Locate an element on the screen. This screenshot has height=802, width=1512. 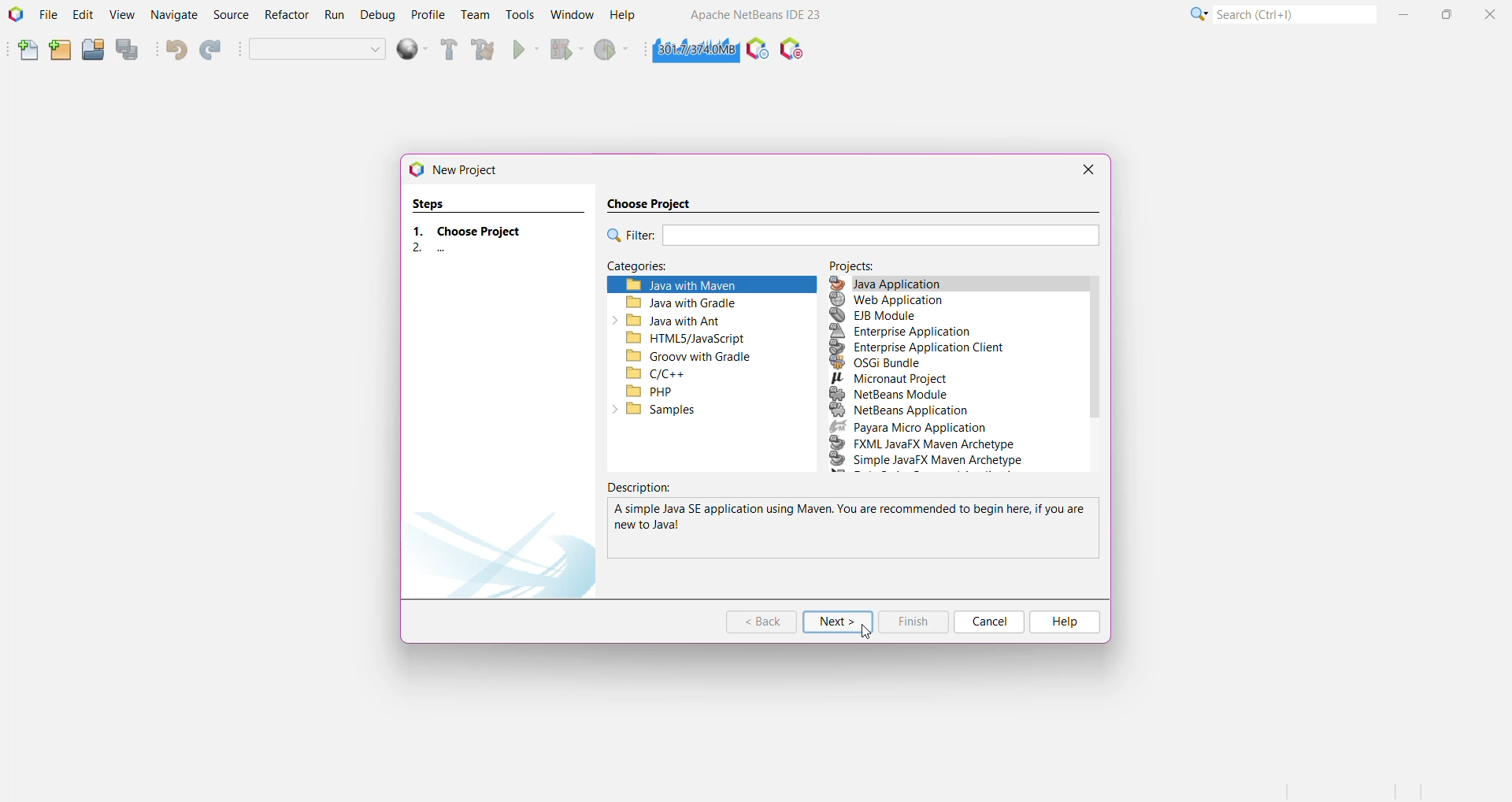
Java Application is located at coordinates (956, 284).